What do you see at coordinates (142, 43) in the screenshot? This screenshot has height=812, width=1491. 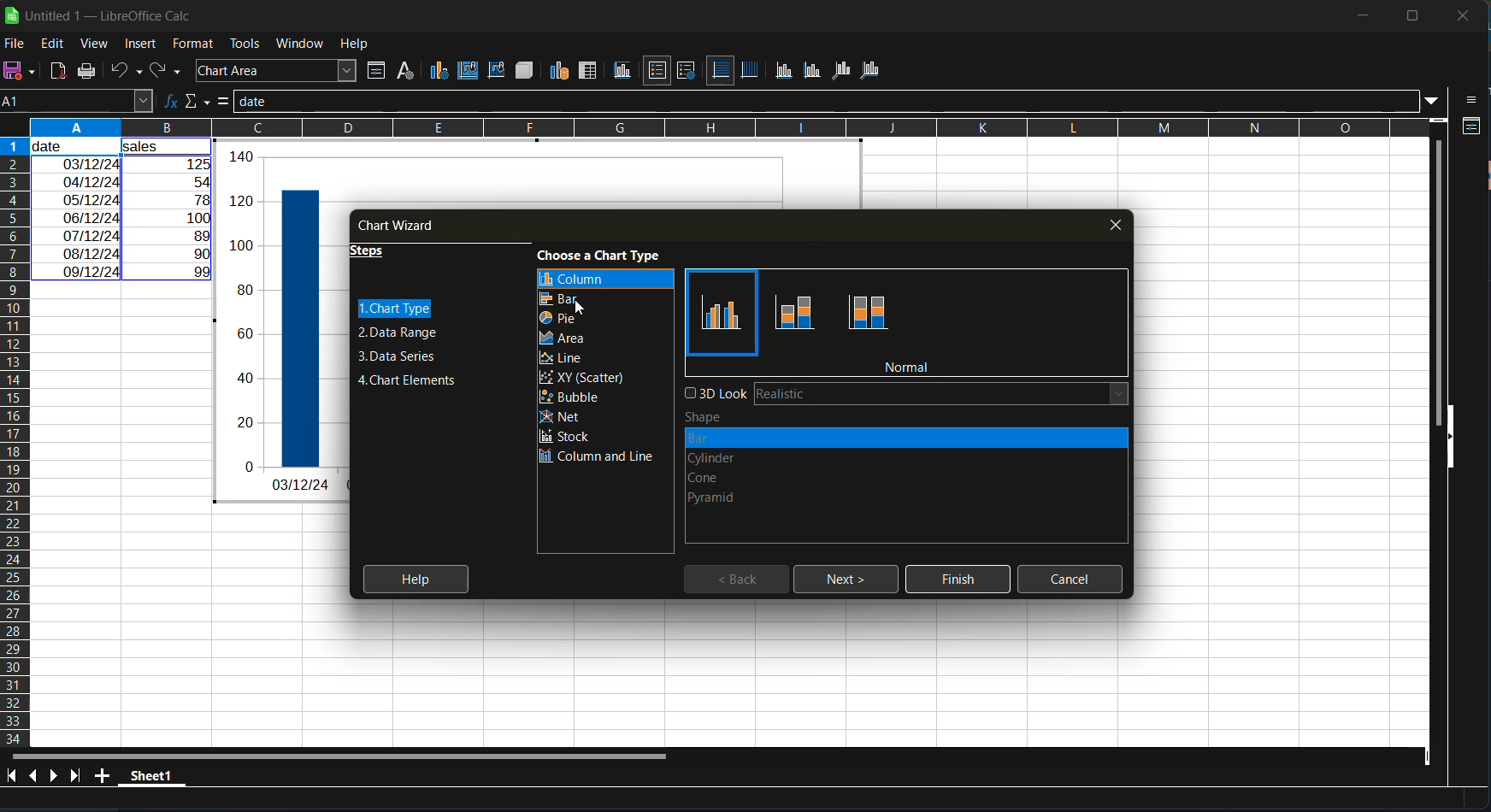 I see `insert` at bounding box center [142, 43].